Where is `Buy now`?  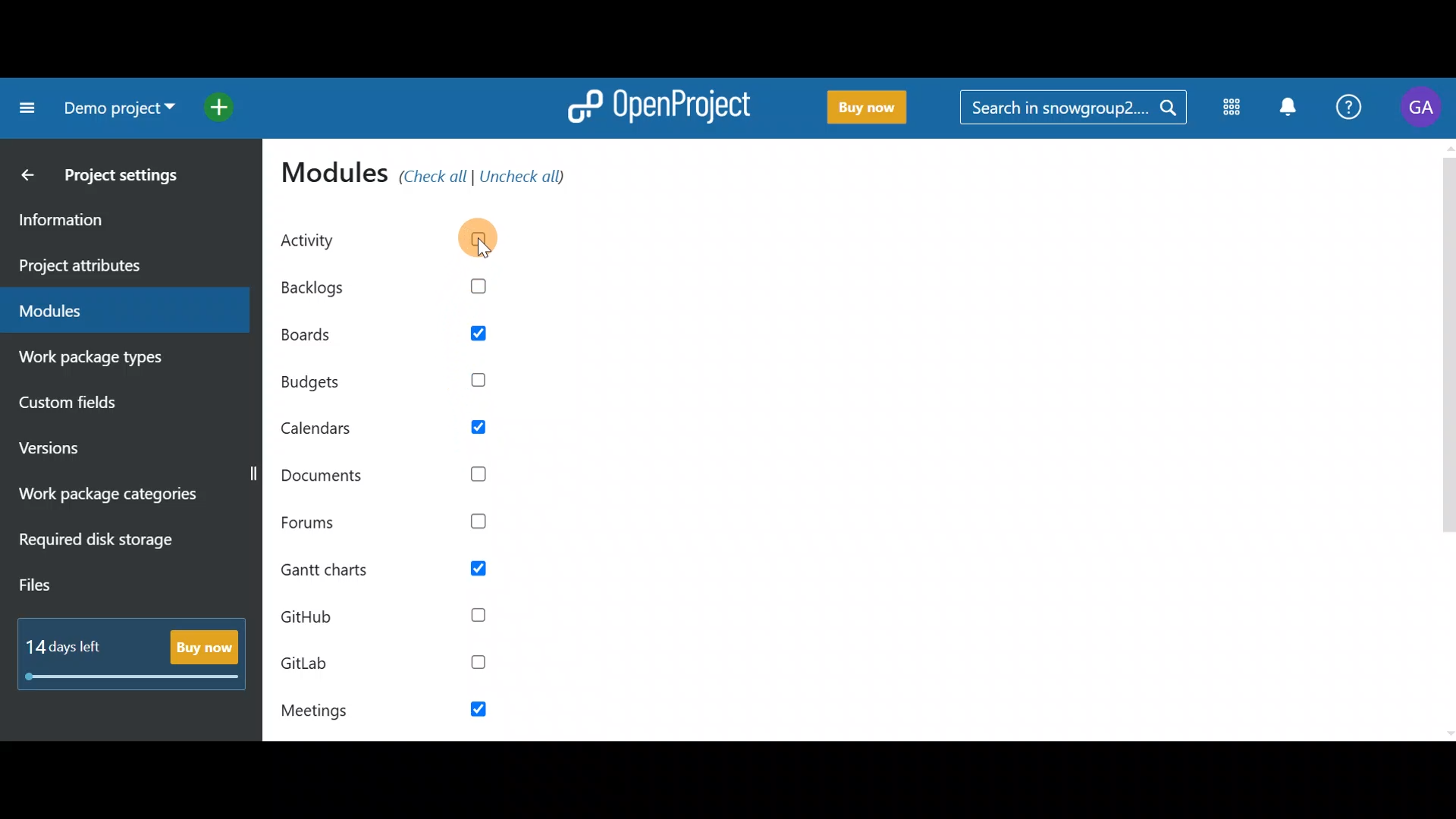 Buy now is located at coordinates (136, 649).